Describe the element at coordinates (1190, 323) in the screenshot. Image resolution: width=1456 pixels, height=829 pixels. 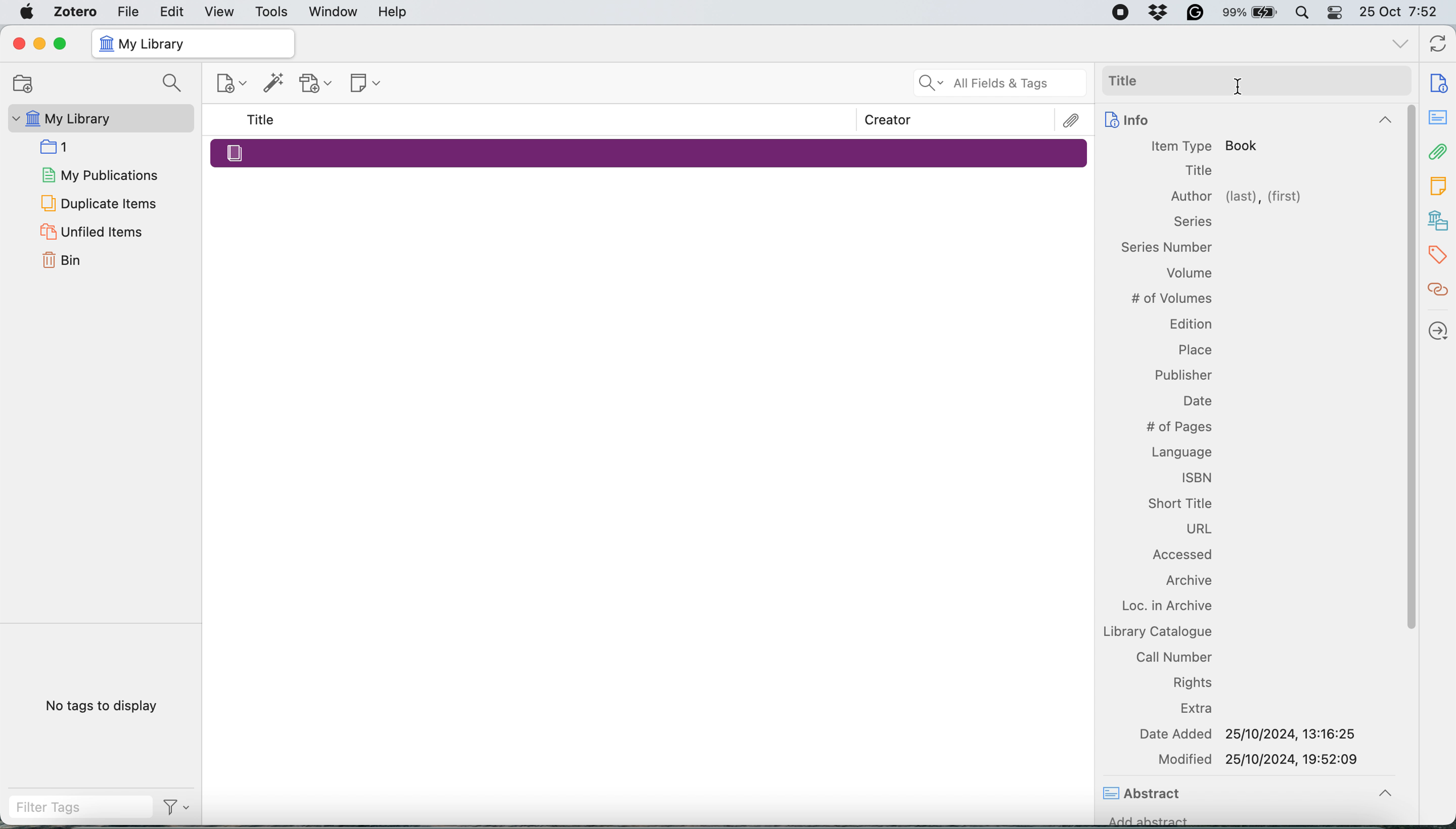
I see `Edition` at that location.